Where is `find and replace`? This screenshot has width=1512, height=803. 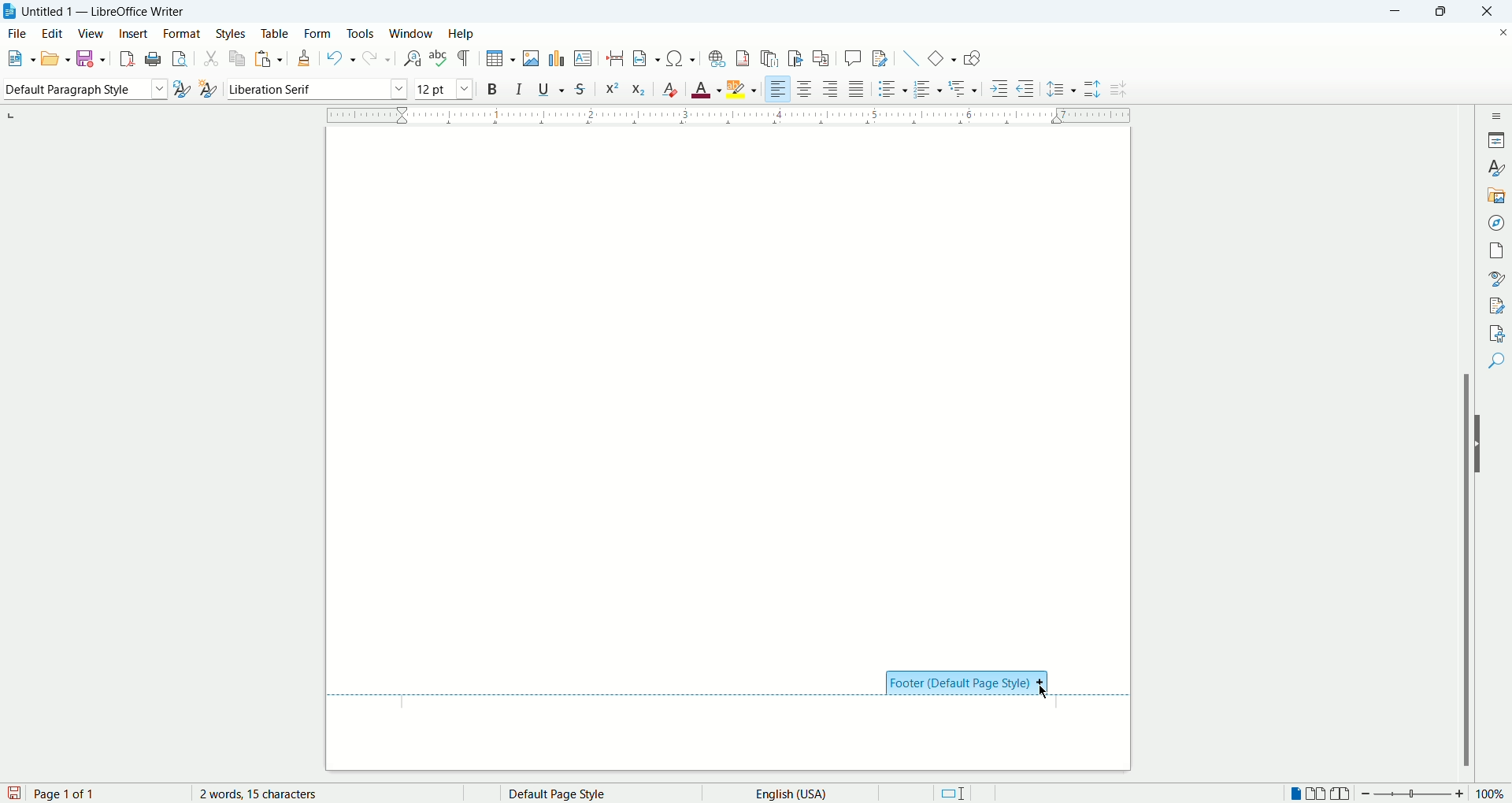 find and replace is located at coordinates (411, 58).